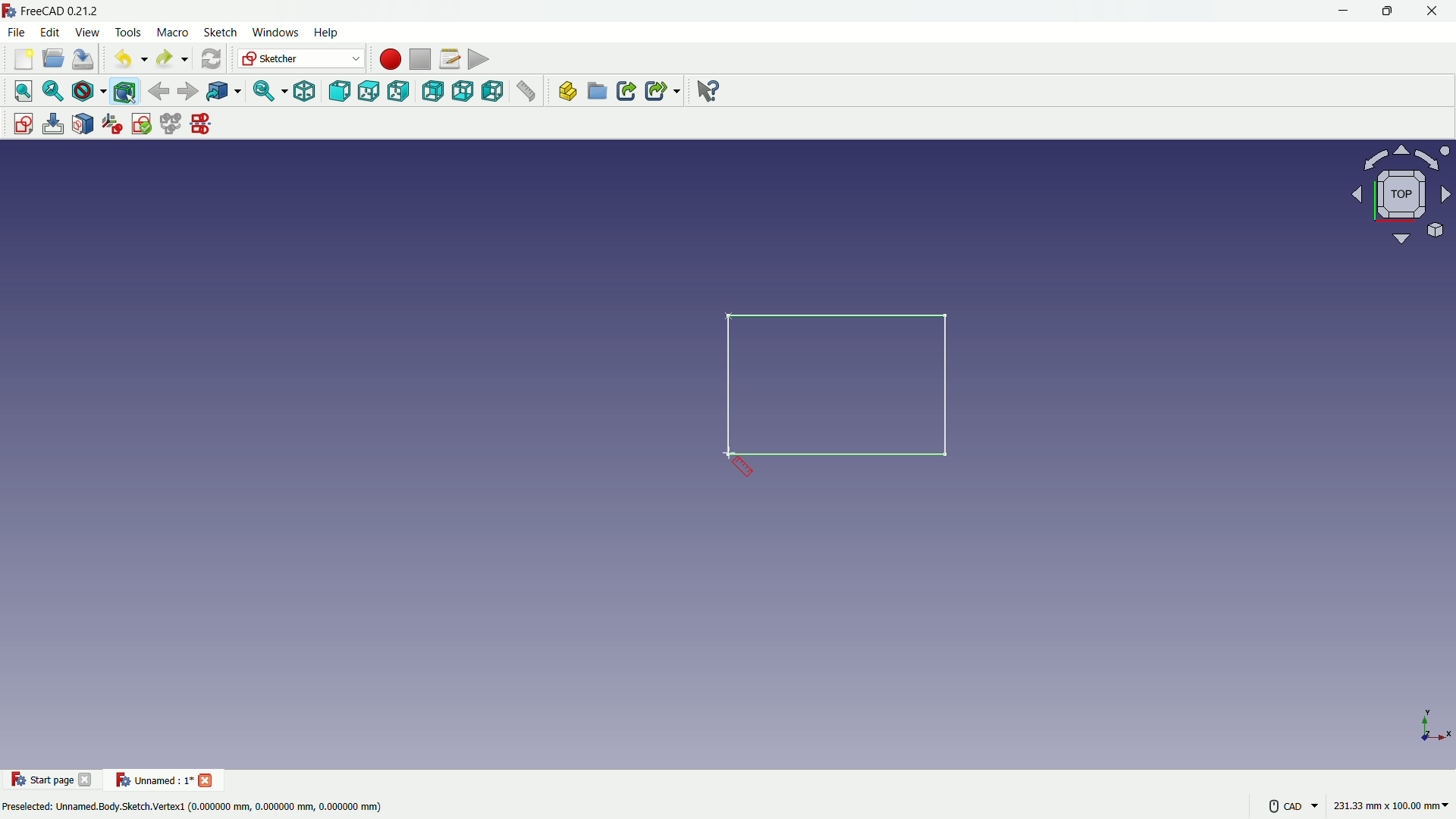 The width and height of the screenshot is (1456, 819). I want to click on tools menu, so click(127, 32).